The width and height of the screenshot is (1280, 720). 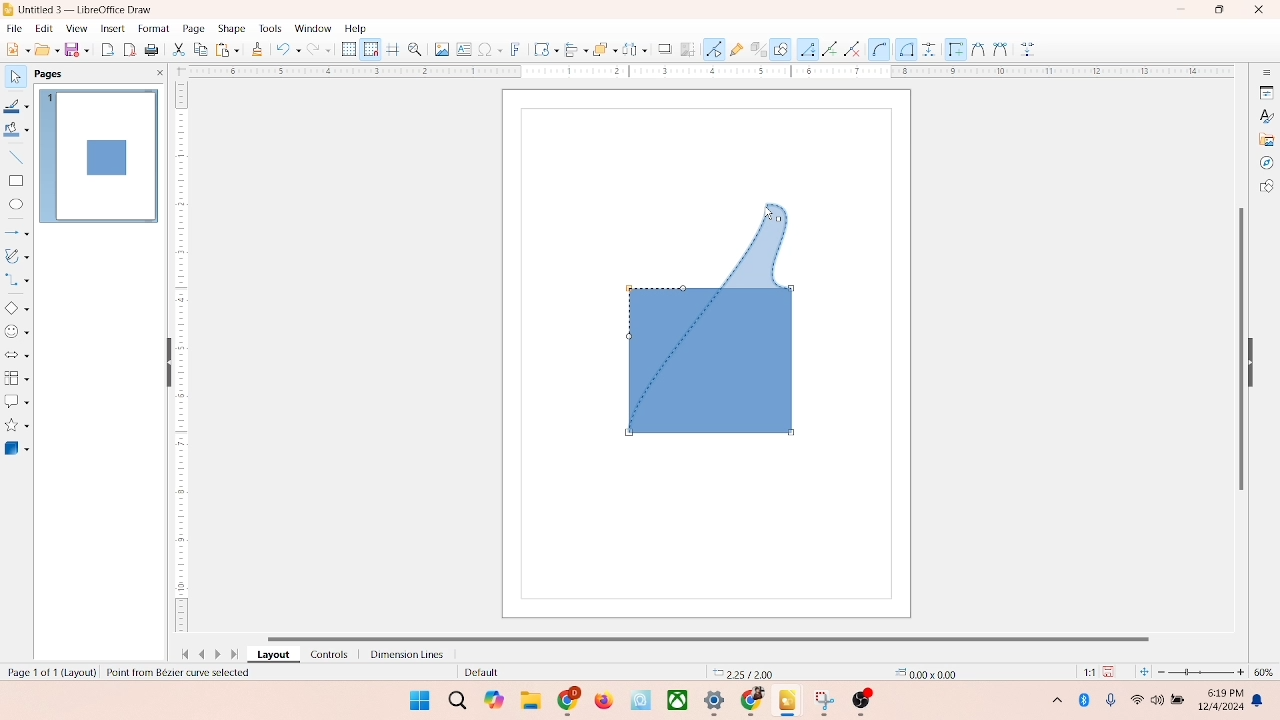 What do you see at coordinates (496, 700) in the screenshot?
I see `copilot` at bounding box center [496, 700].